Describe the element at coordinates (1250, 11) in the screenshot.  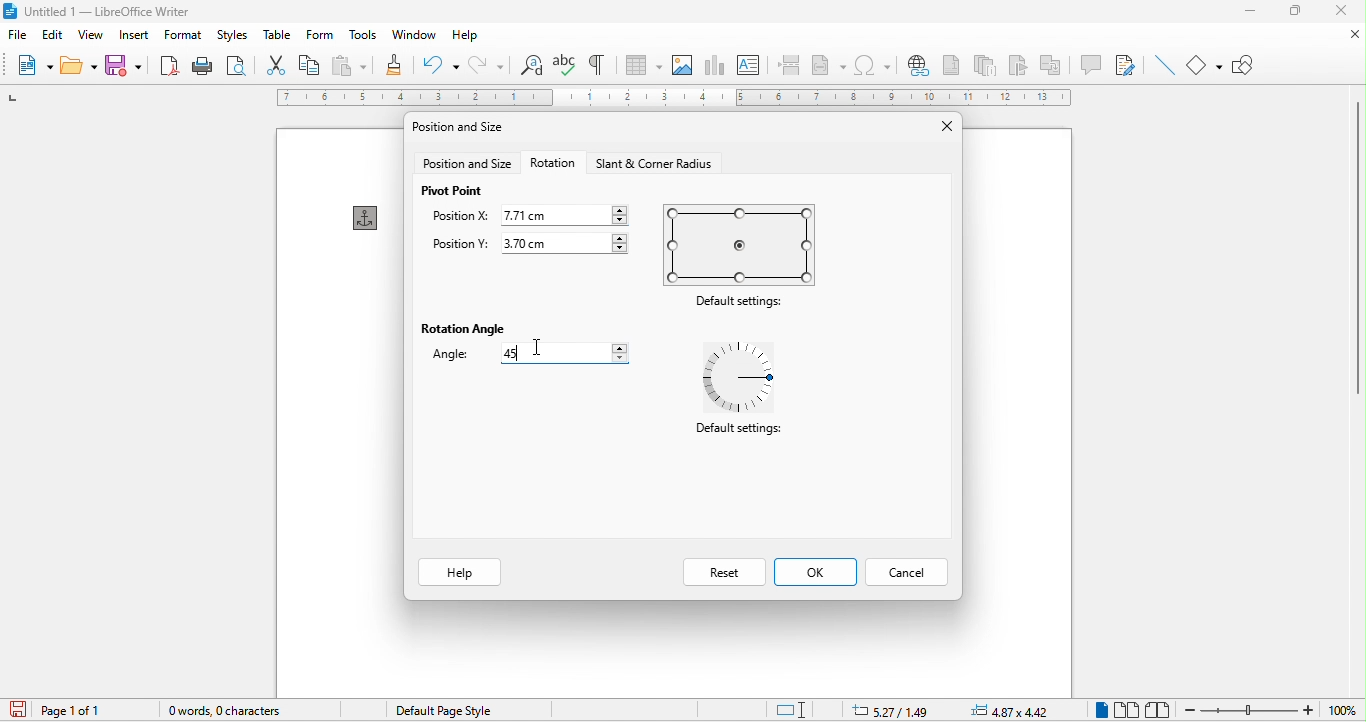
I see `minimize` at that location.